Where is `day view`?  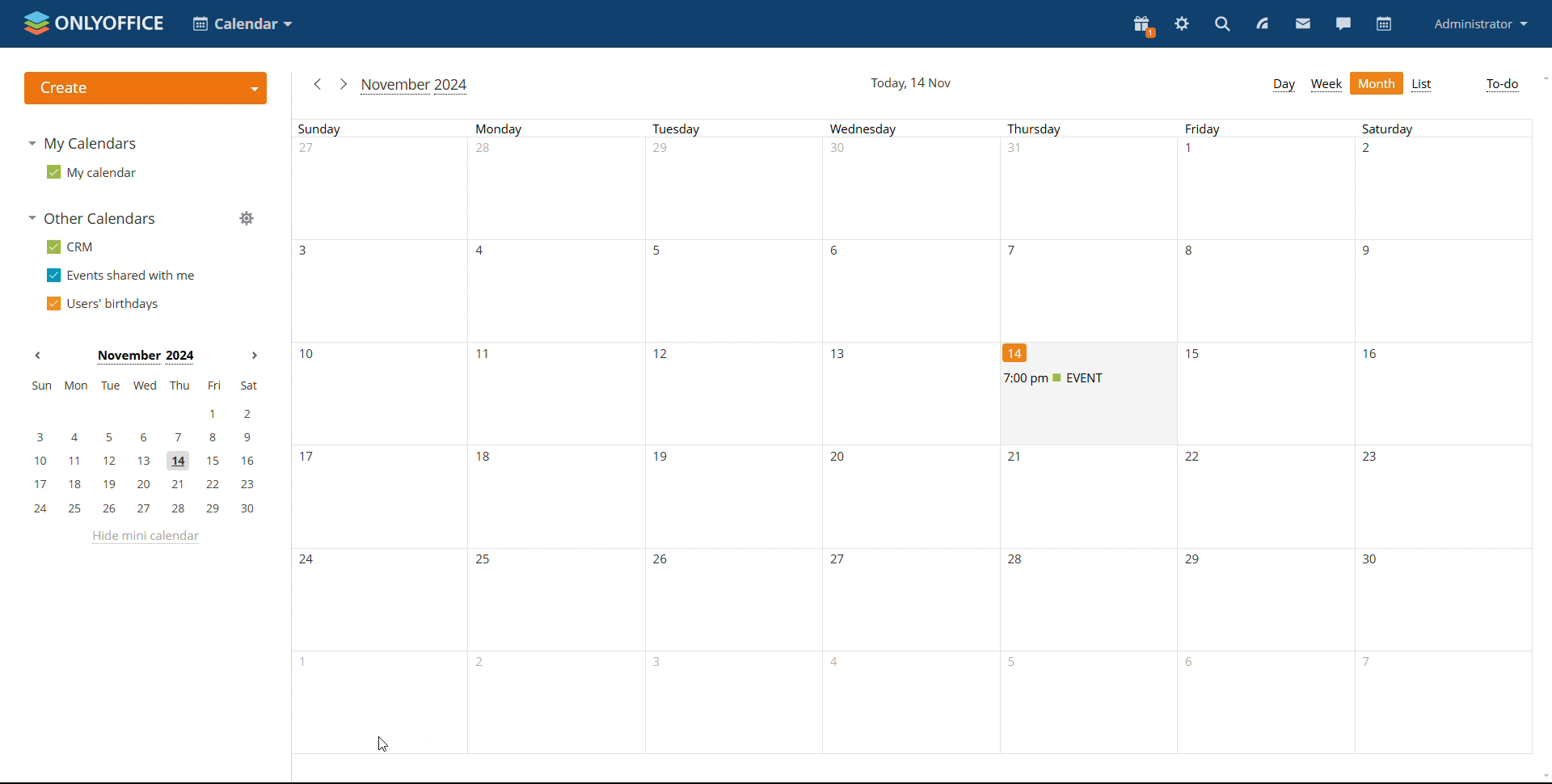
day view is located at coordinates (1284, 83).